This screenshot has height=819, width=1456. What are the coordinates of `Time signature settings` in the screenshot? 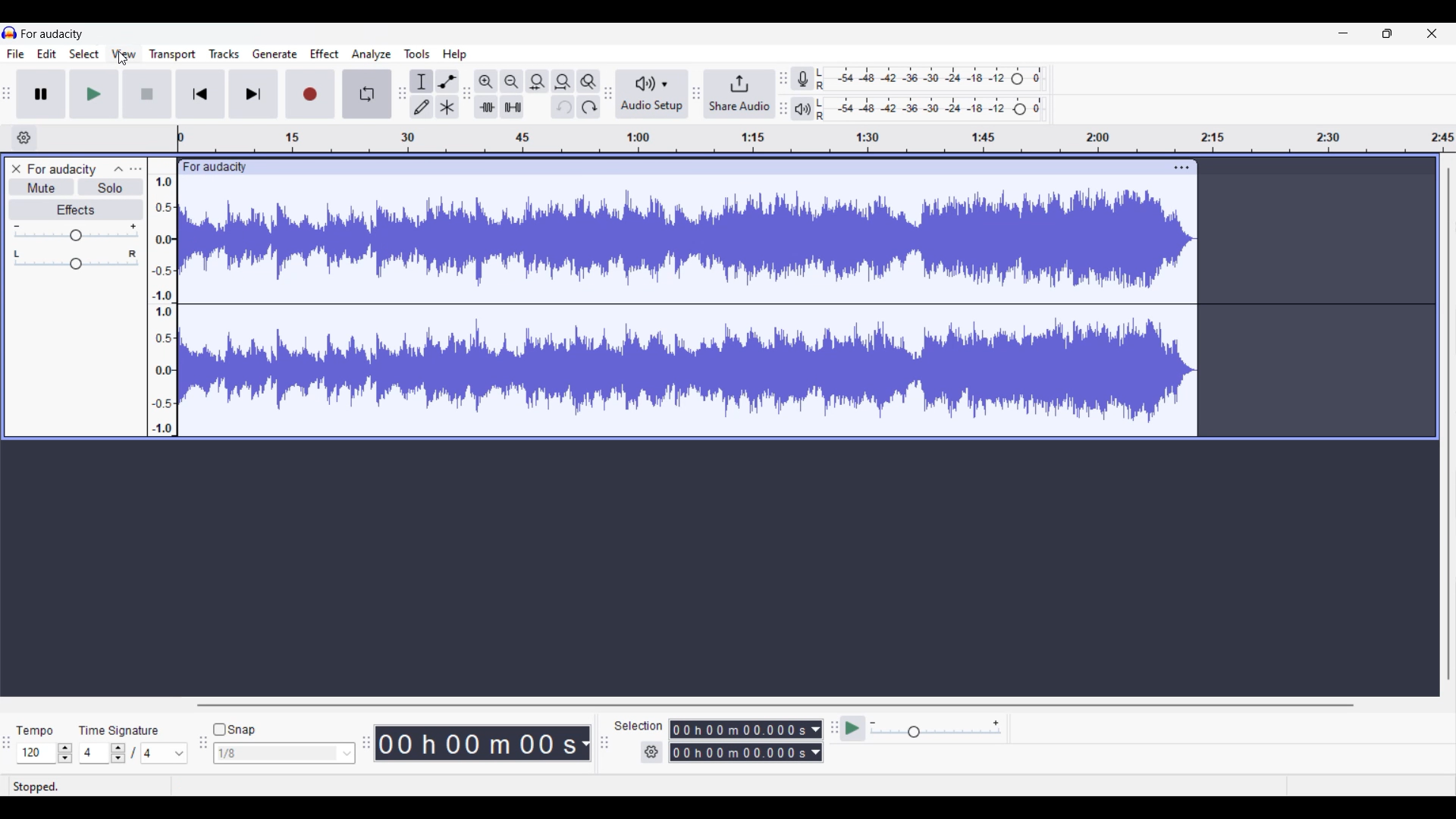 It's located at (135, 752).